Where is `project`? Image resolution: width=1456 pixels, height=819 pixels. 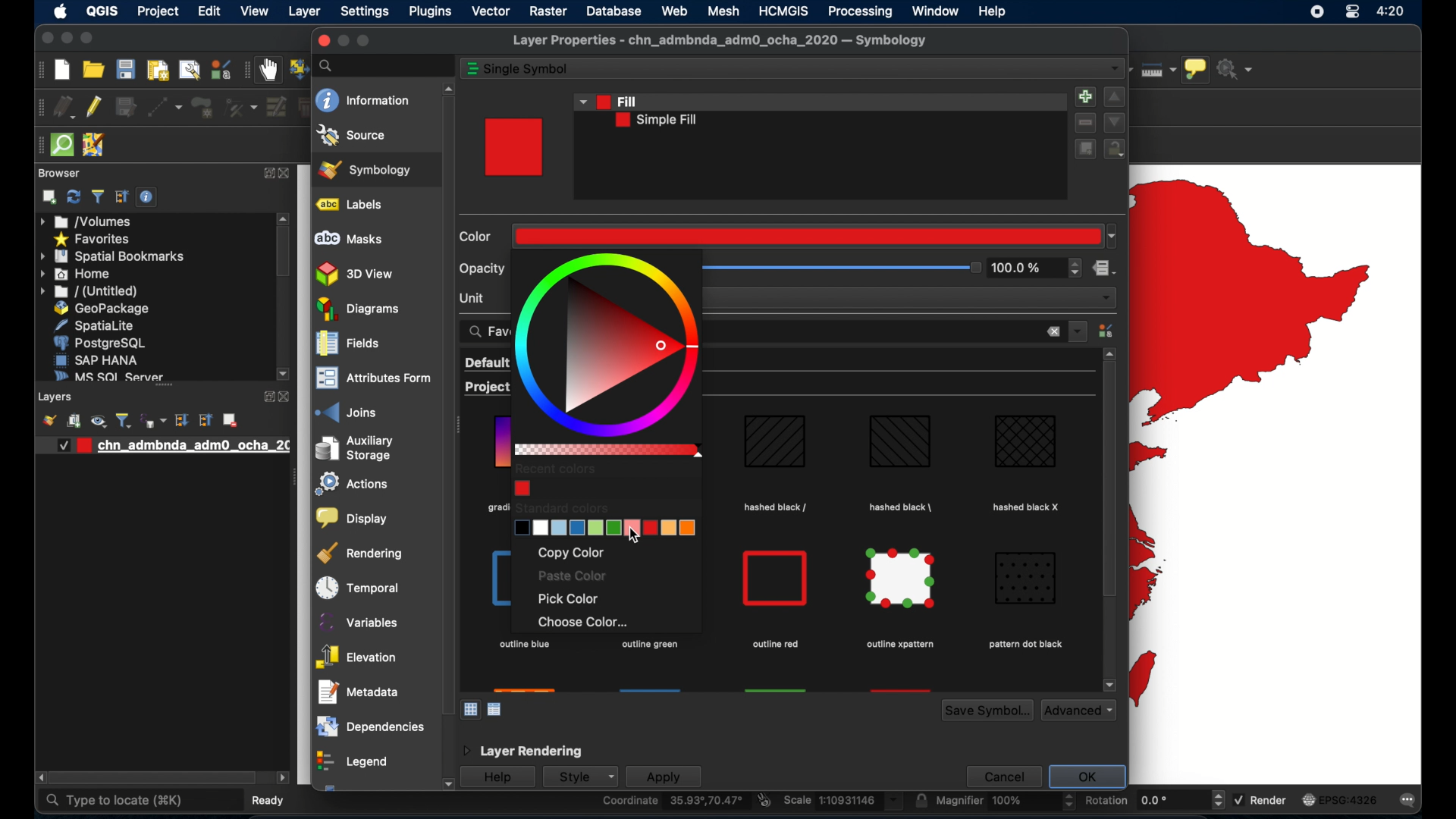
project is located at coordinates (157, 13).